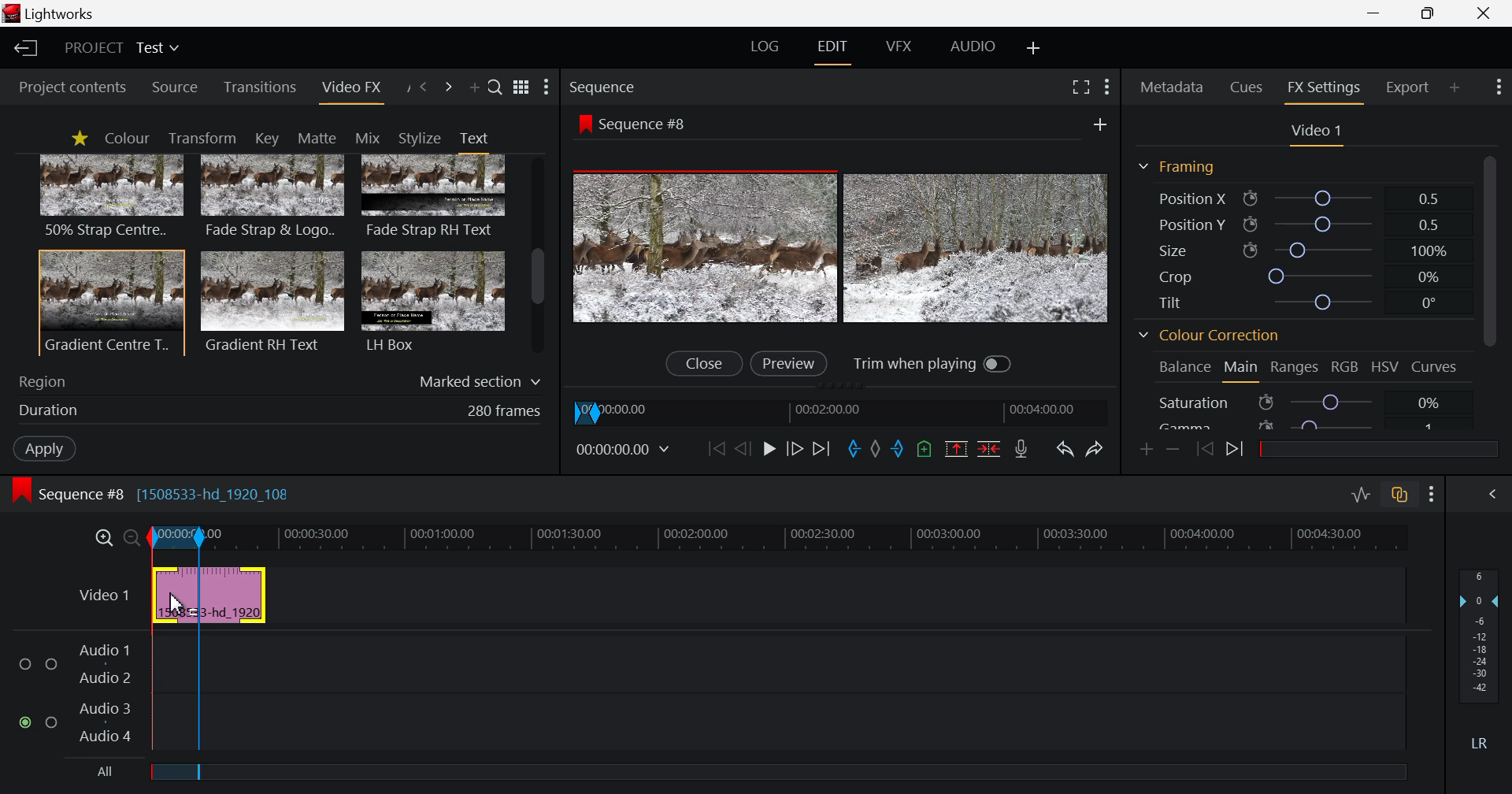 The image size is (1512, 794). I want to click on Cues, so click(1248, 86).